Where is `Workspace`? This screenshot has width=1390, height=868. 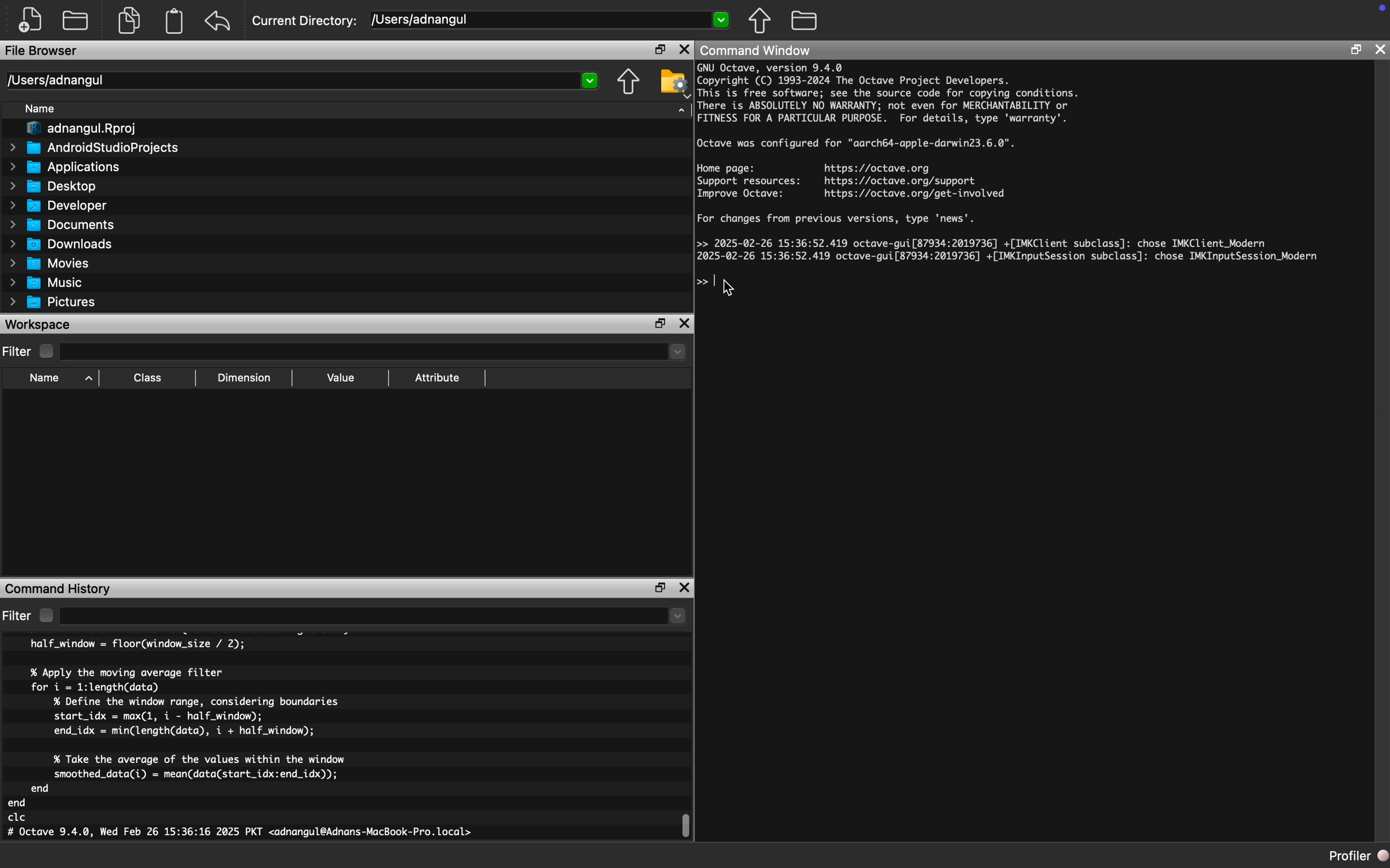 Workspace is located at coordinates (38, 325).